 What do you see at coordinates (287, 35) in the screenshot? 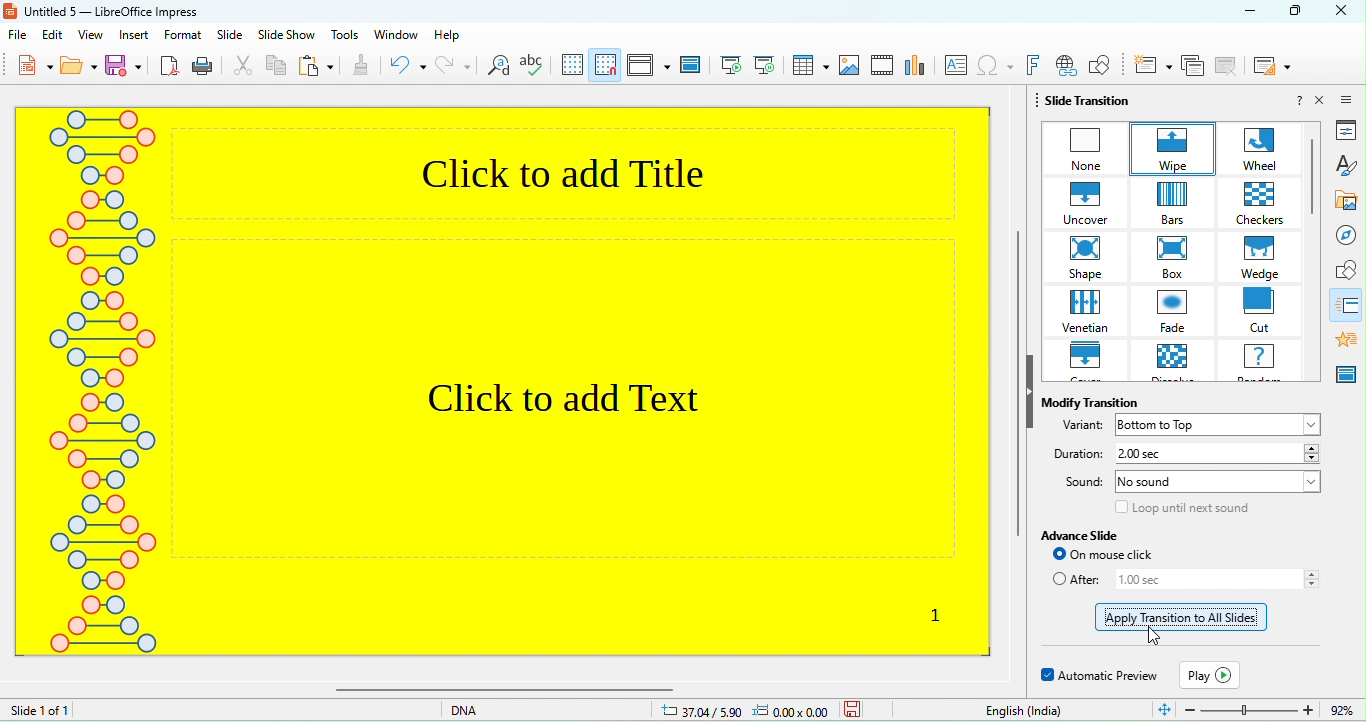
I see `slideshow` at bounding box center [287, 35].